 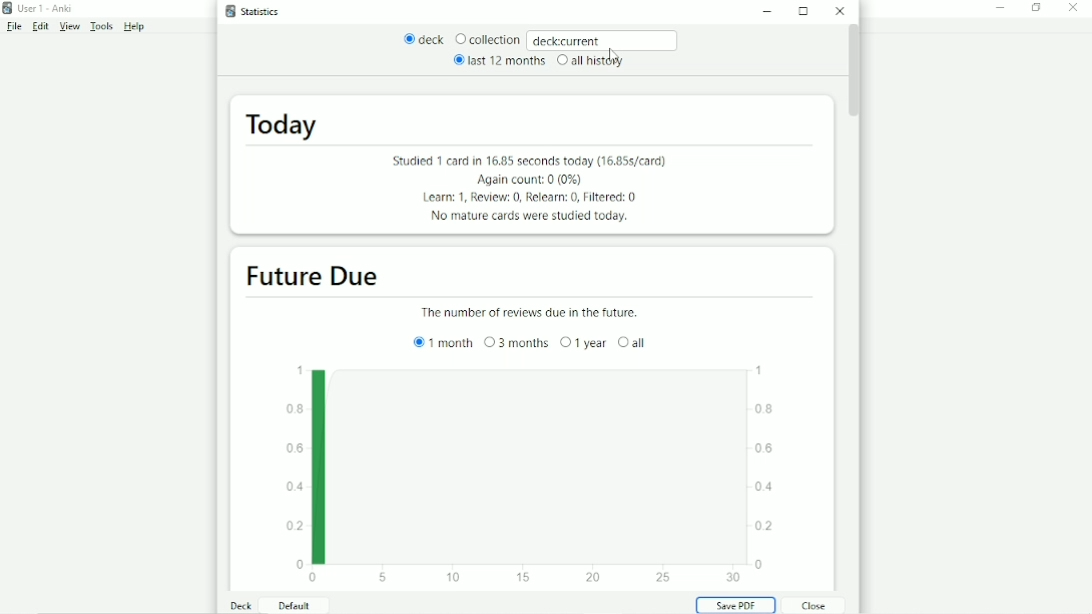 I want to click on View, so click(x=67, y=27).